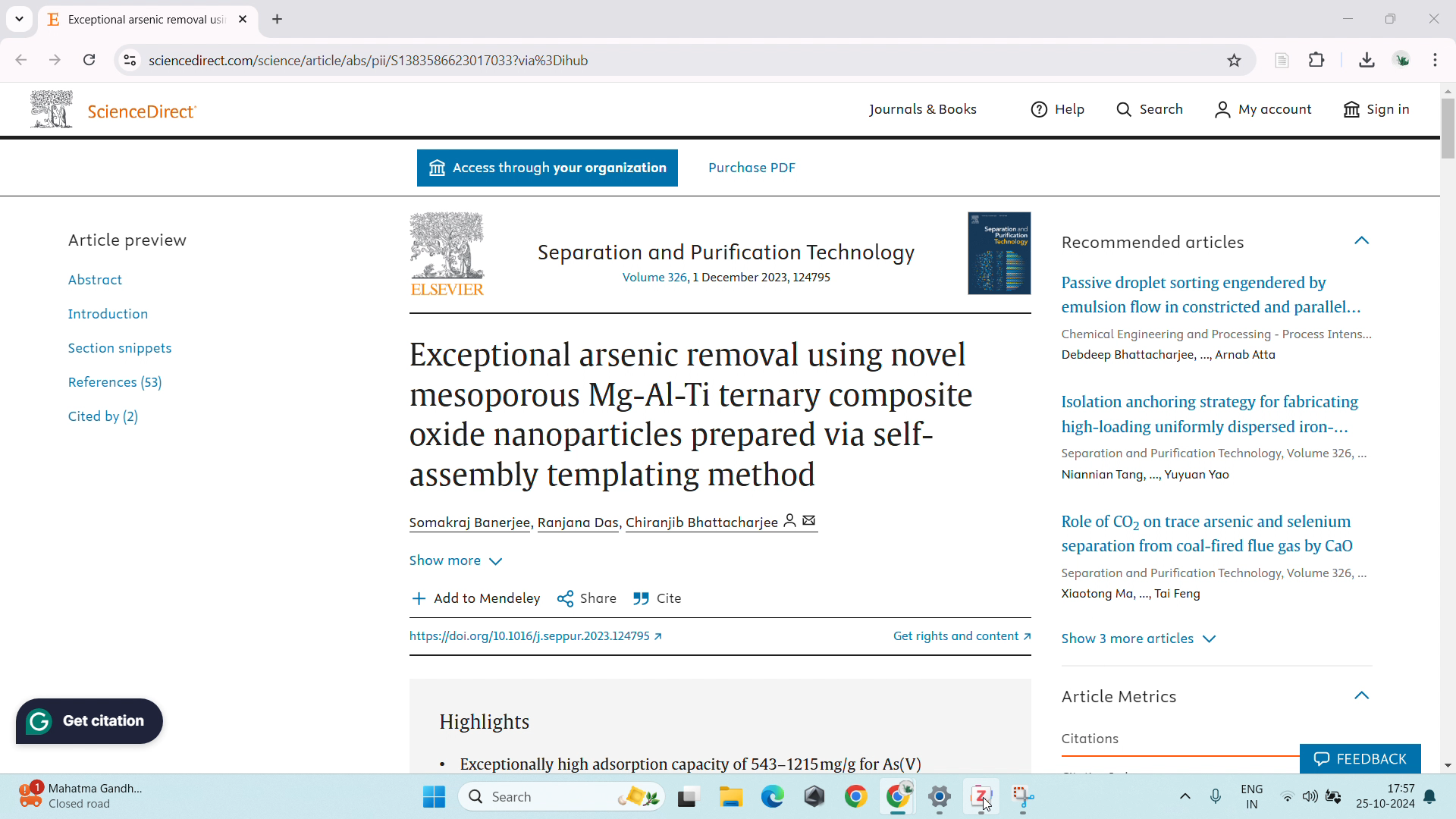 The height and width of the screenshot is (819, 1456). Describe the element at coordinates (1447, 764) in the screenshot. I see `scroll down` at that location.